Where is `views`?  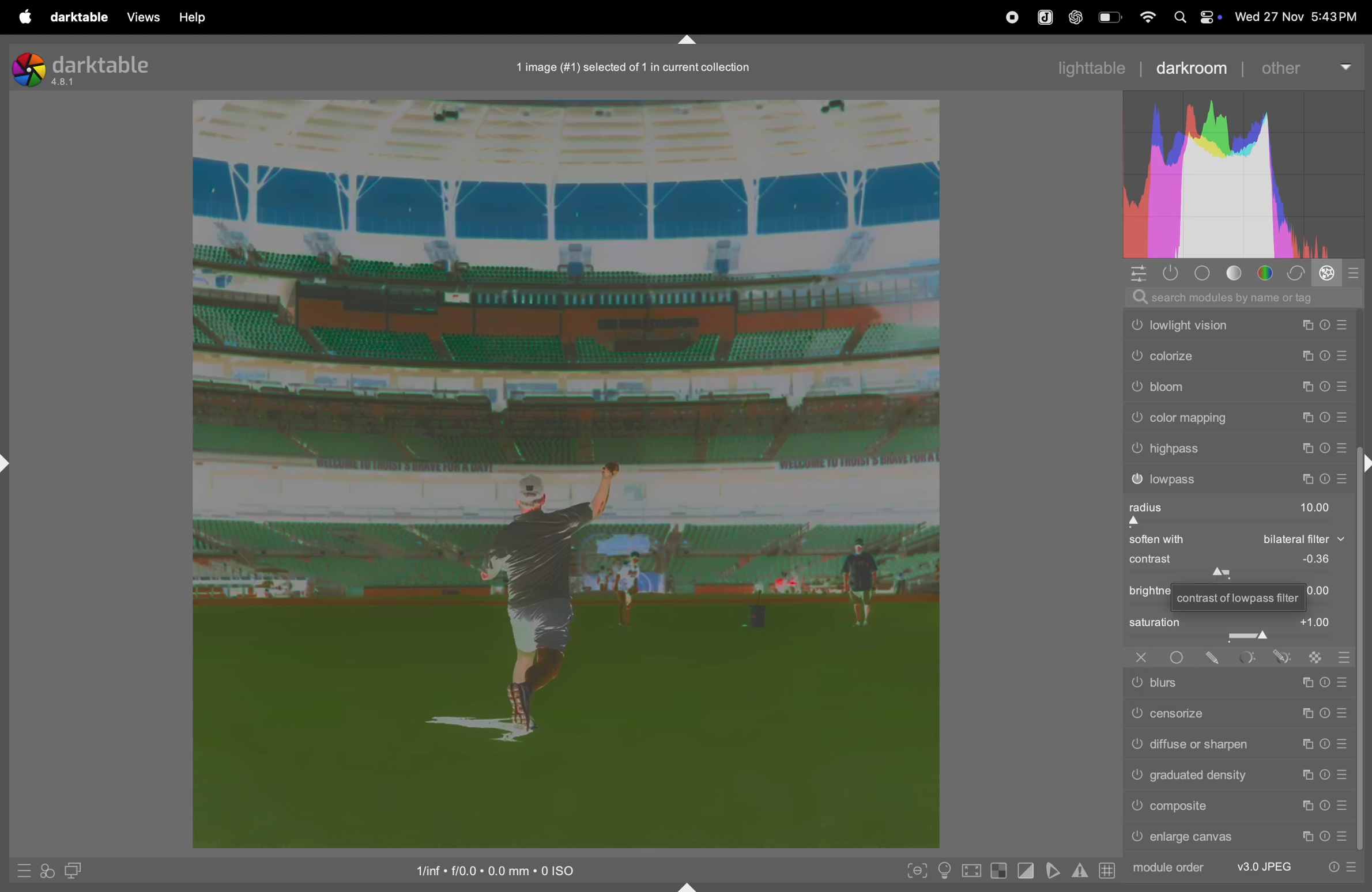
views is located at coordinates (138, 17).